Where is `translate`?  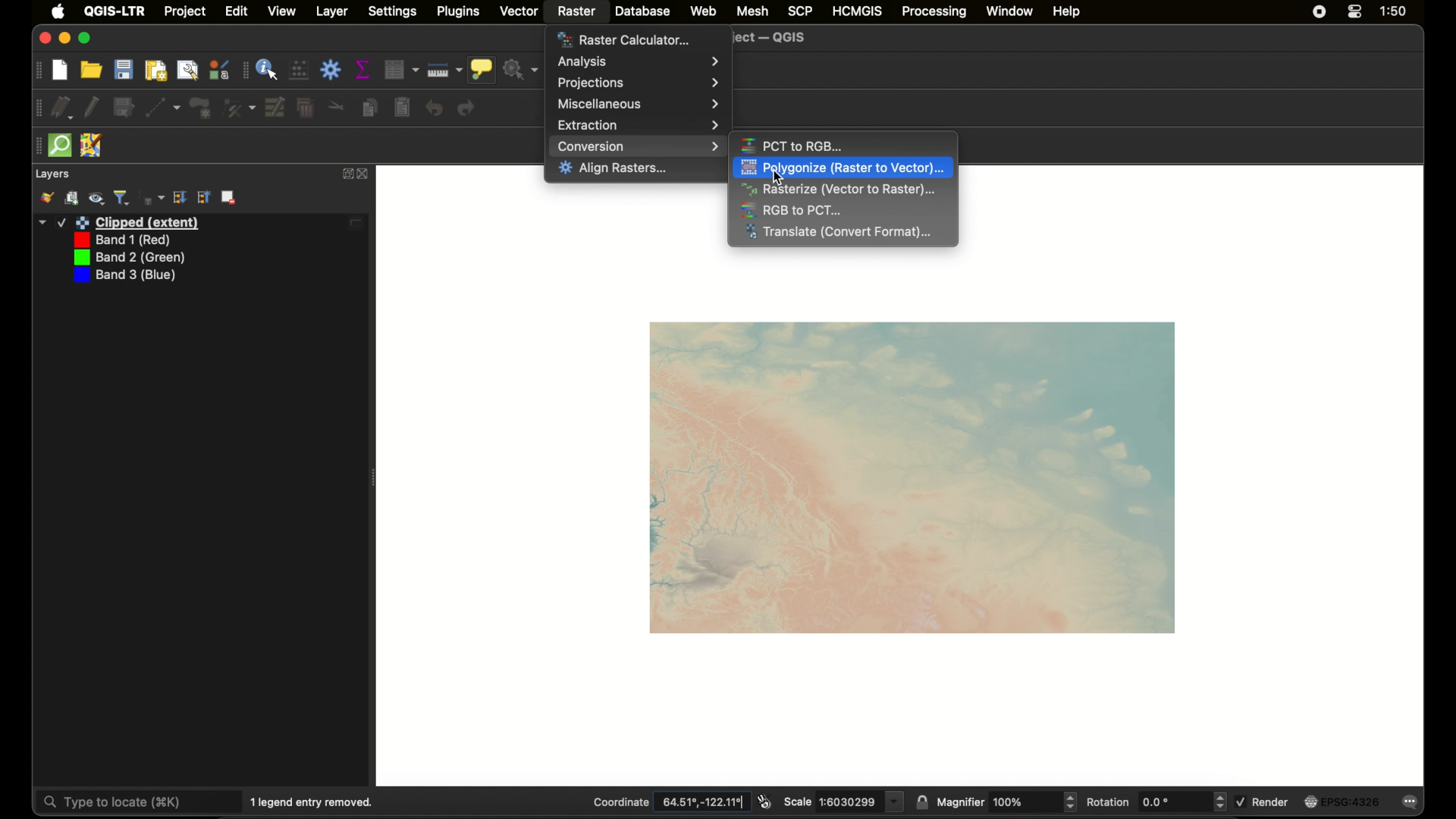 translate is located at coordinates (841, 233).